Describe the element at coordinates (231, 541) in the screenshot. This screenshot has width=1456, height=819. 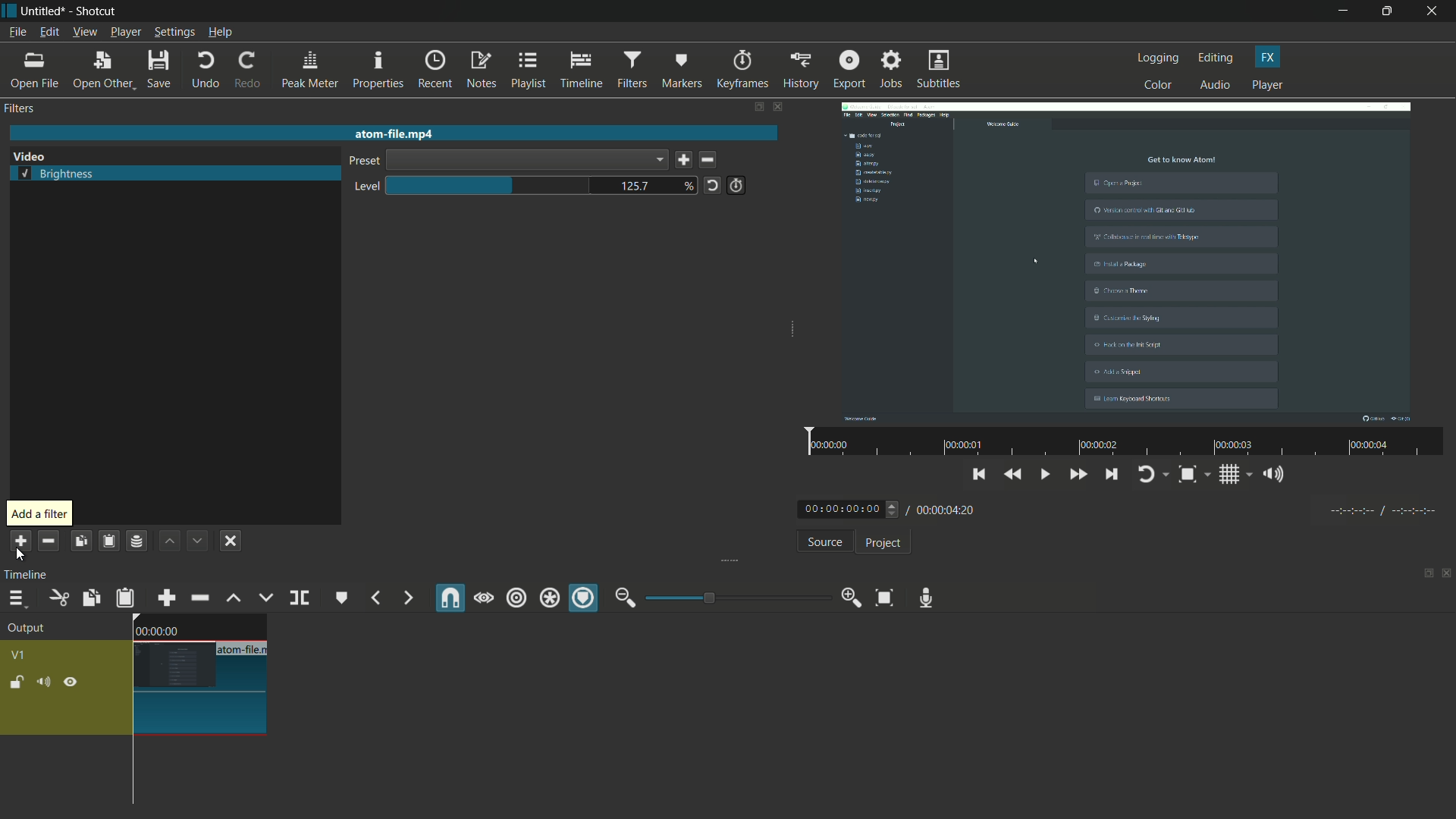
I see `deselect the filter` at that location.